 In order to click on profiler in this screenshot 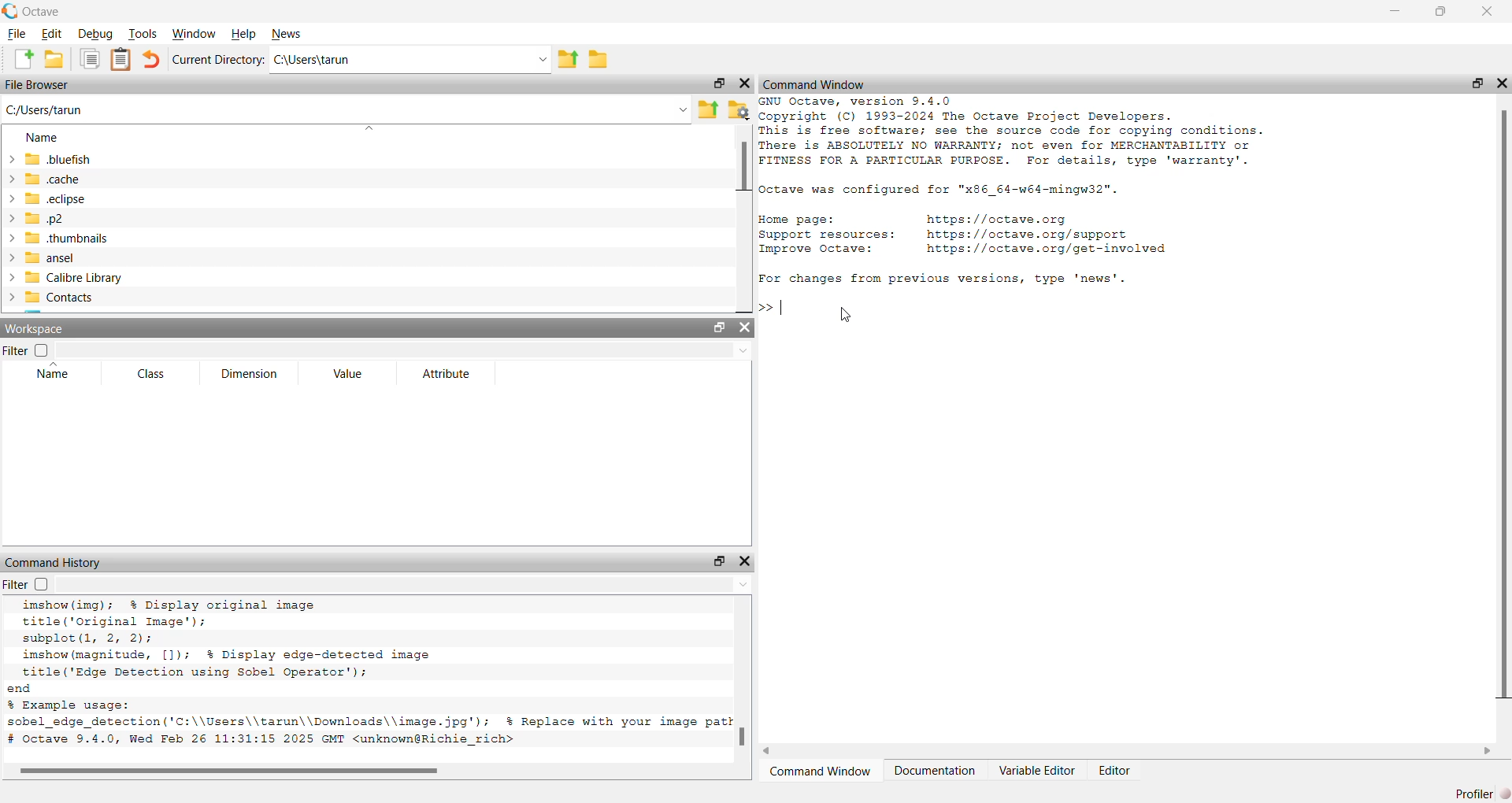, I will do `click(1475, 788)`.